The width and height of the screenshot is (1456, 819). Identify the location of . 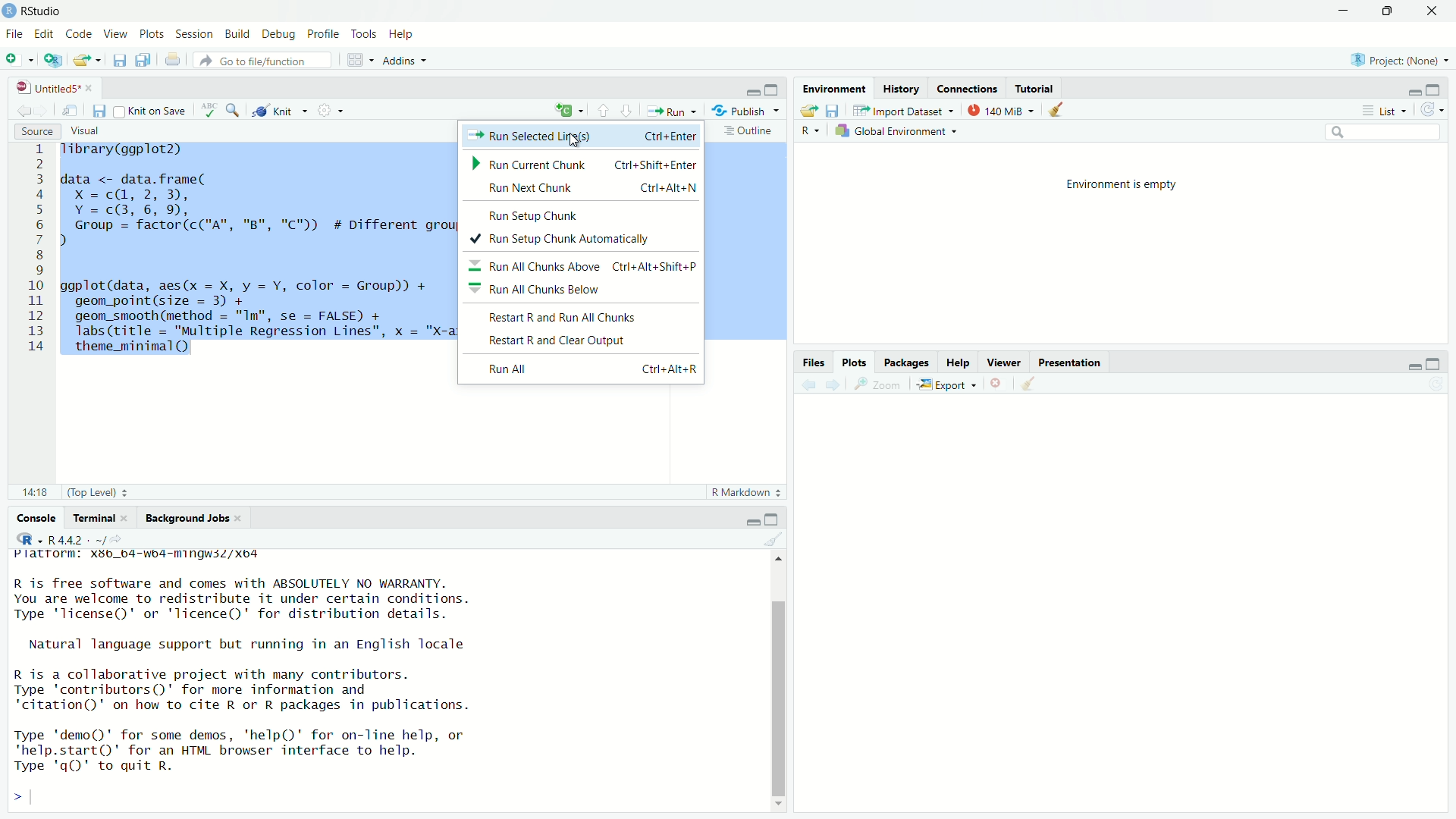
(813, 361).